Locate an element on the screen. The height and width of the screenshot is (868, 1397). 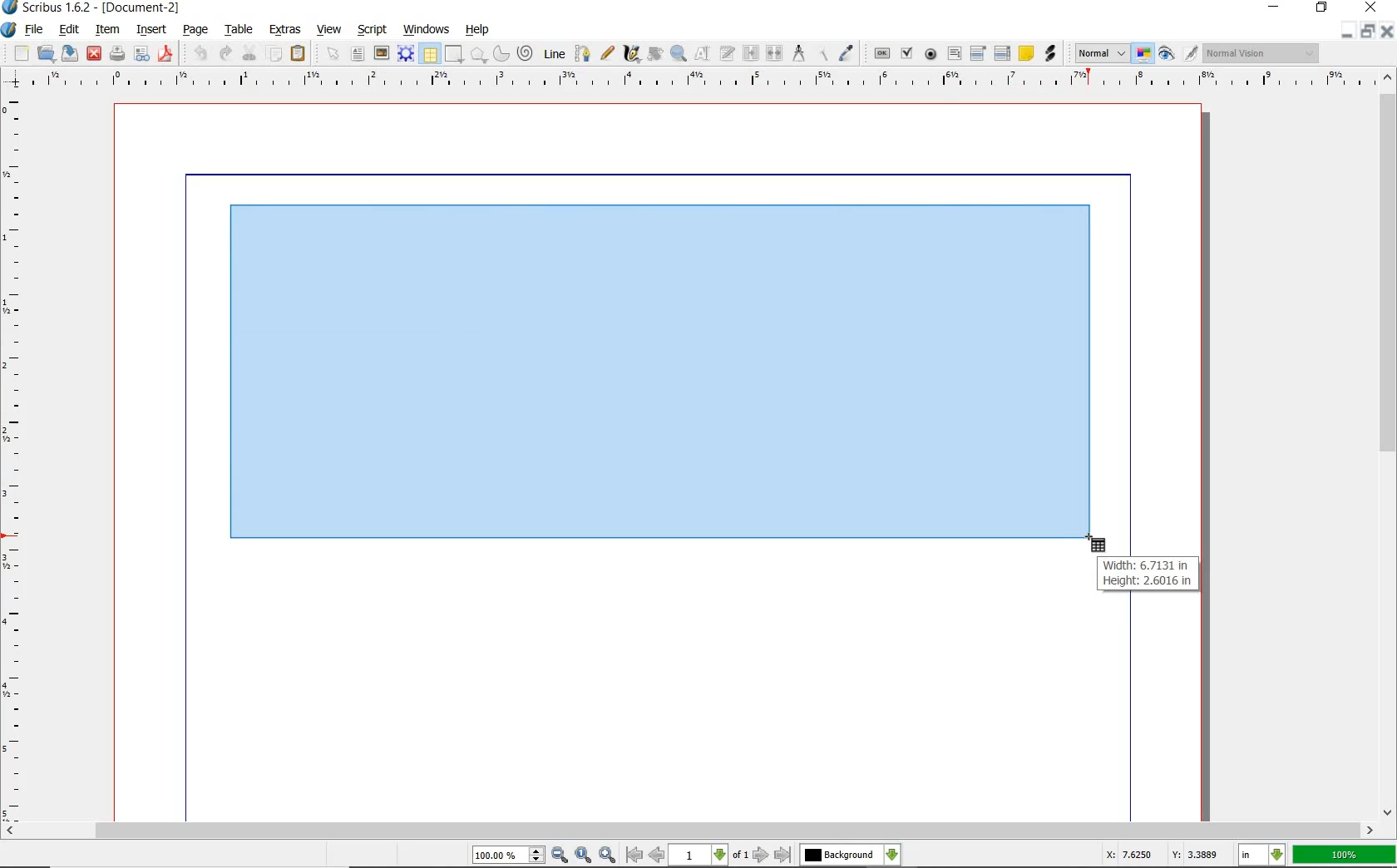
minimize is located at coordinates (1347, 31).